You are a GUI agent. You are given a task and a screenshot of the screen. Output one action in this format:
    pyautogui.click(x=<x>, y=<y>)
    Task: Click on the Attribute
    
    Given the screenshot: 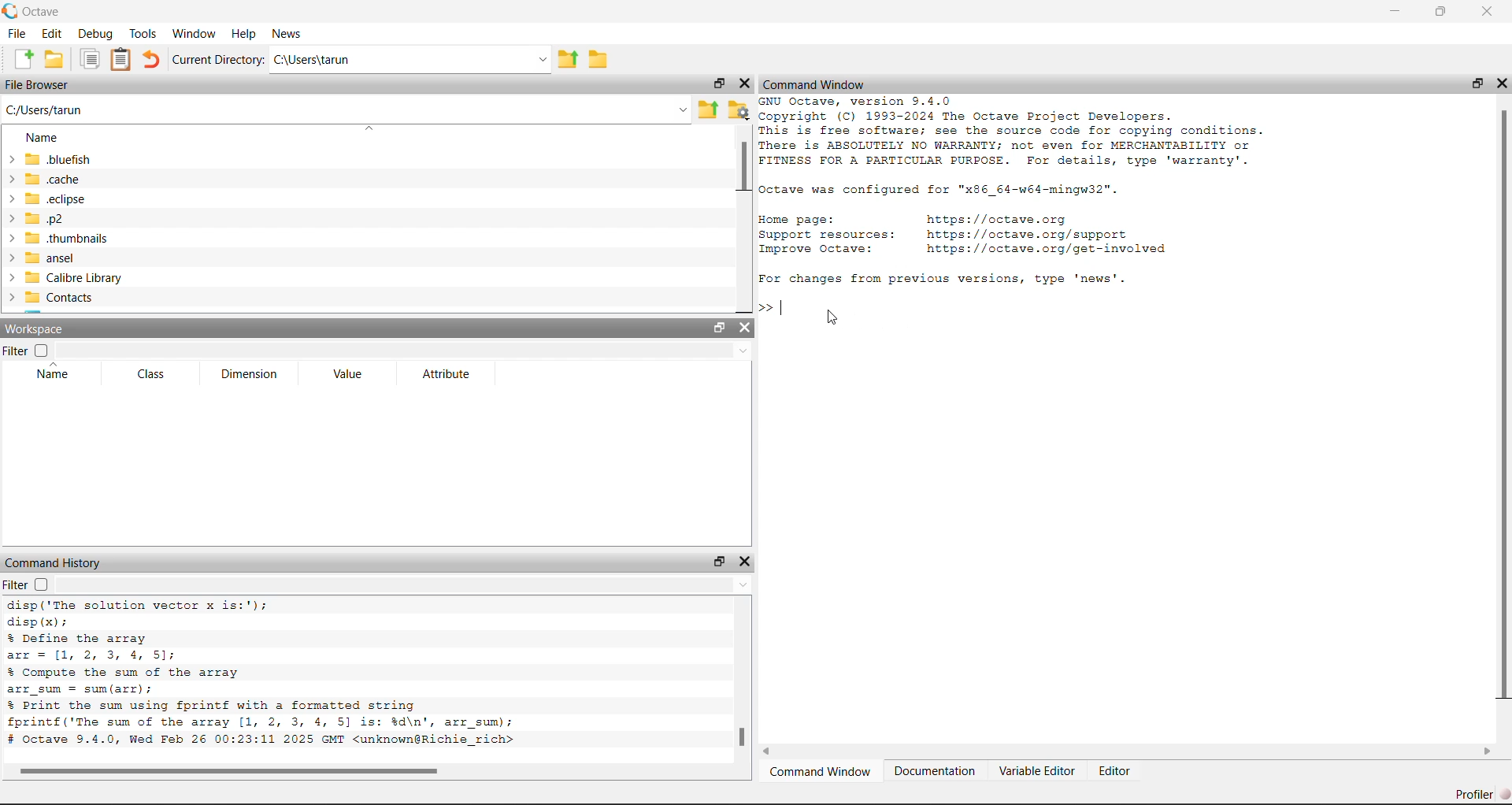 What is the action you would take?
    pyautogui.click(x=437, y=373)
    